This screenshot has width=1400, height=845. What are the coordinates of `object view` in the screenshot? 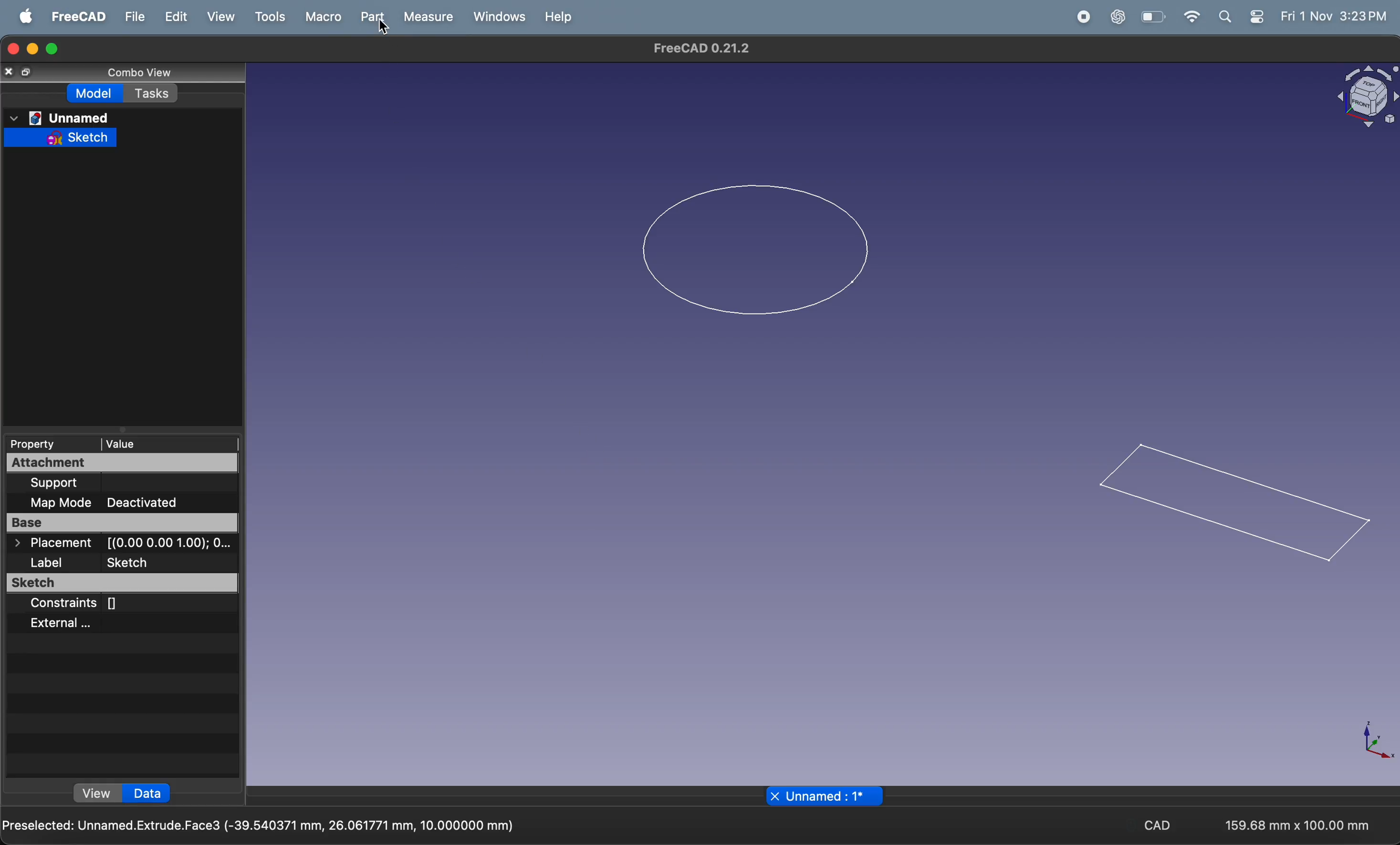 It's located at (1366, 95).